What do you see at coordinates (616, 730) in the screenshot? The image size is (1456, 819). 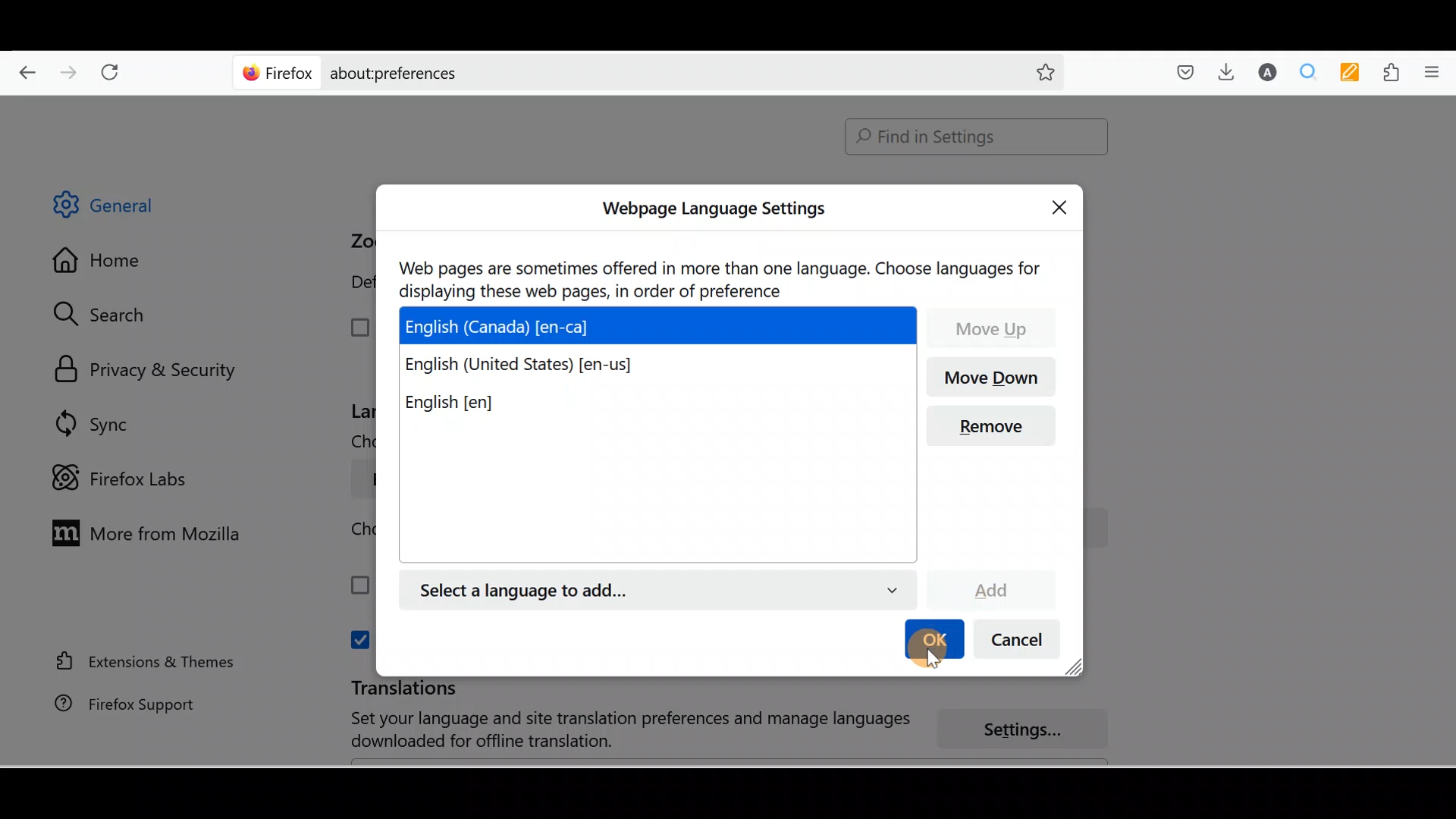 I see `Set your language and site translation preferences and manage language download for offline translation.` at bounding box center [616, 730].